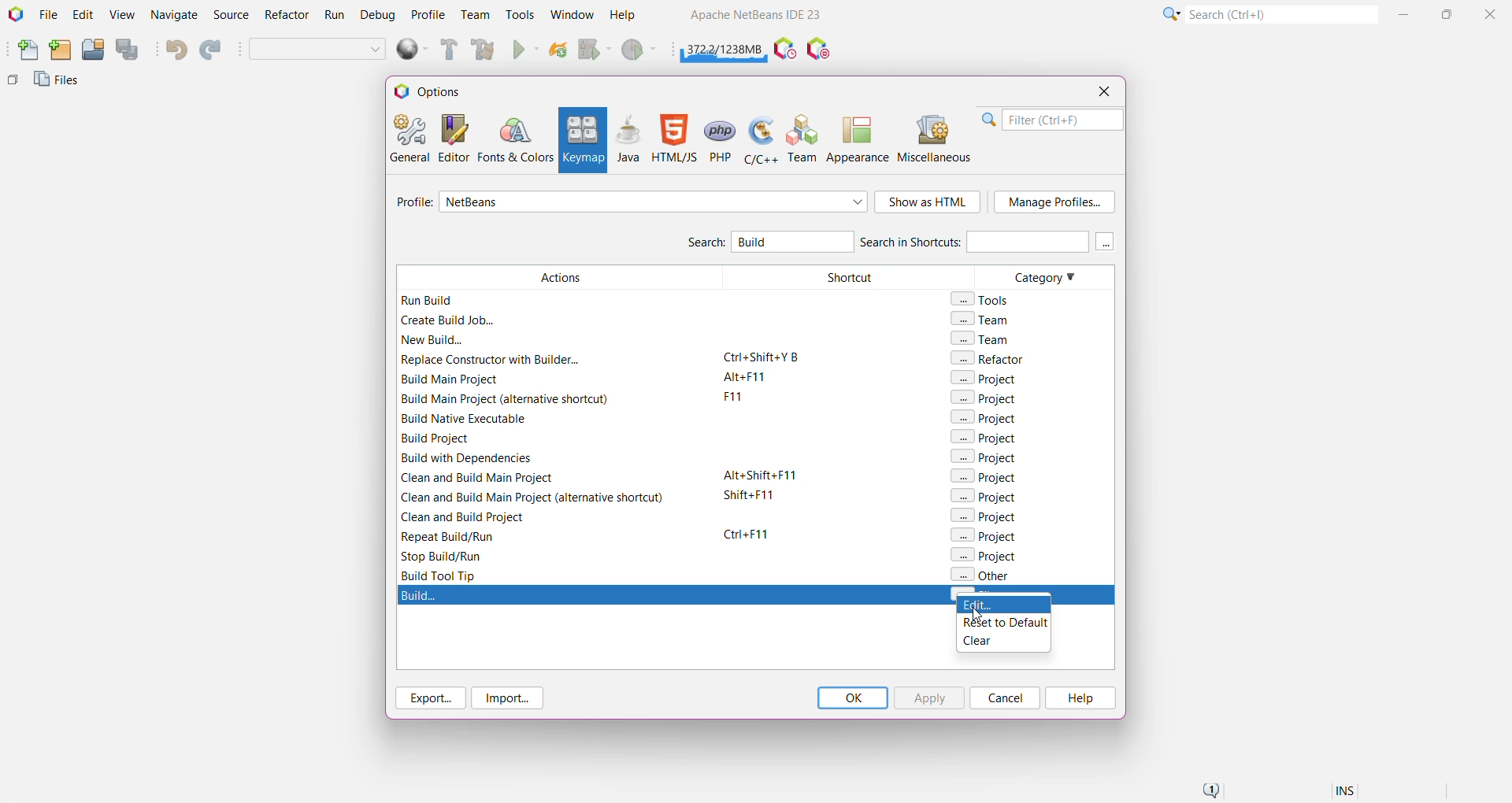  What do you see at coordinates (24, 51) in the screenshot?
I see `New File` at bounding box center [24, 51].